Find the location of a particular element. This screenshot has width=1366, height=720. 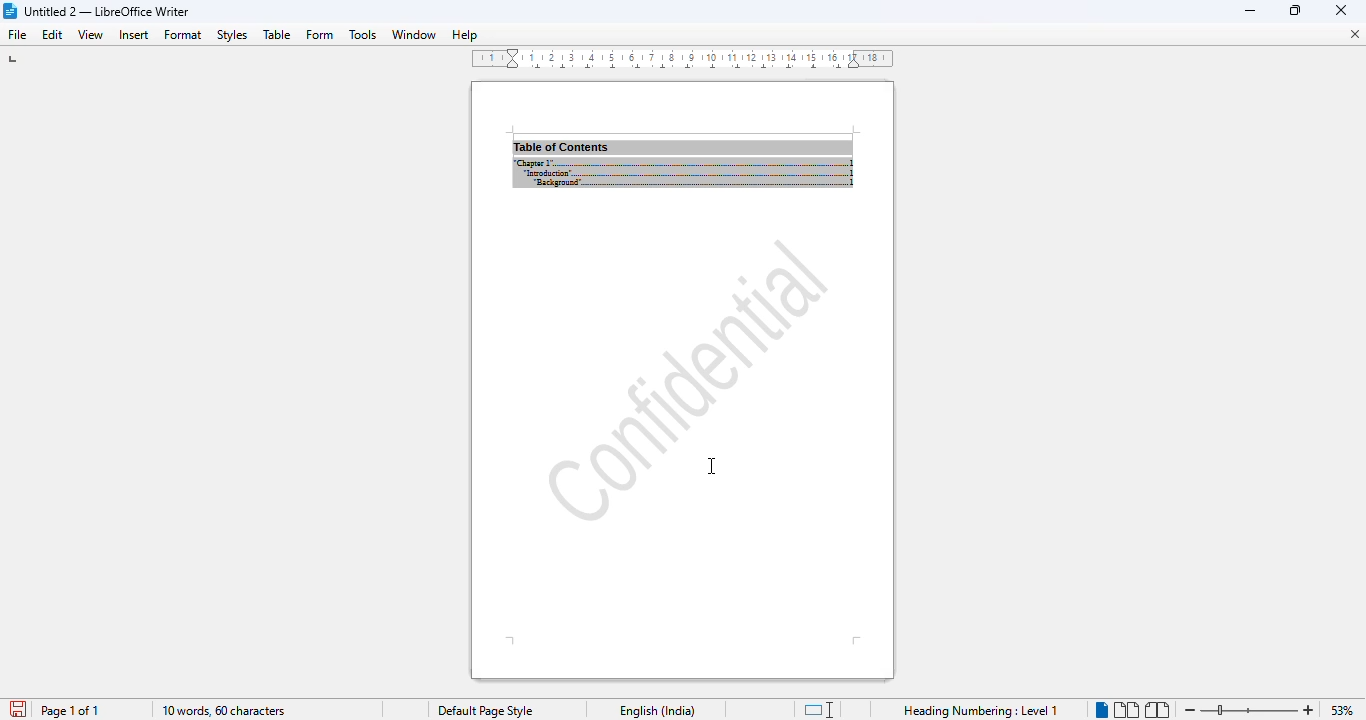

cursor is located at coordinates (711, 464).